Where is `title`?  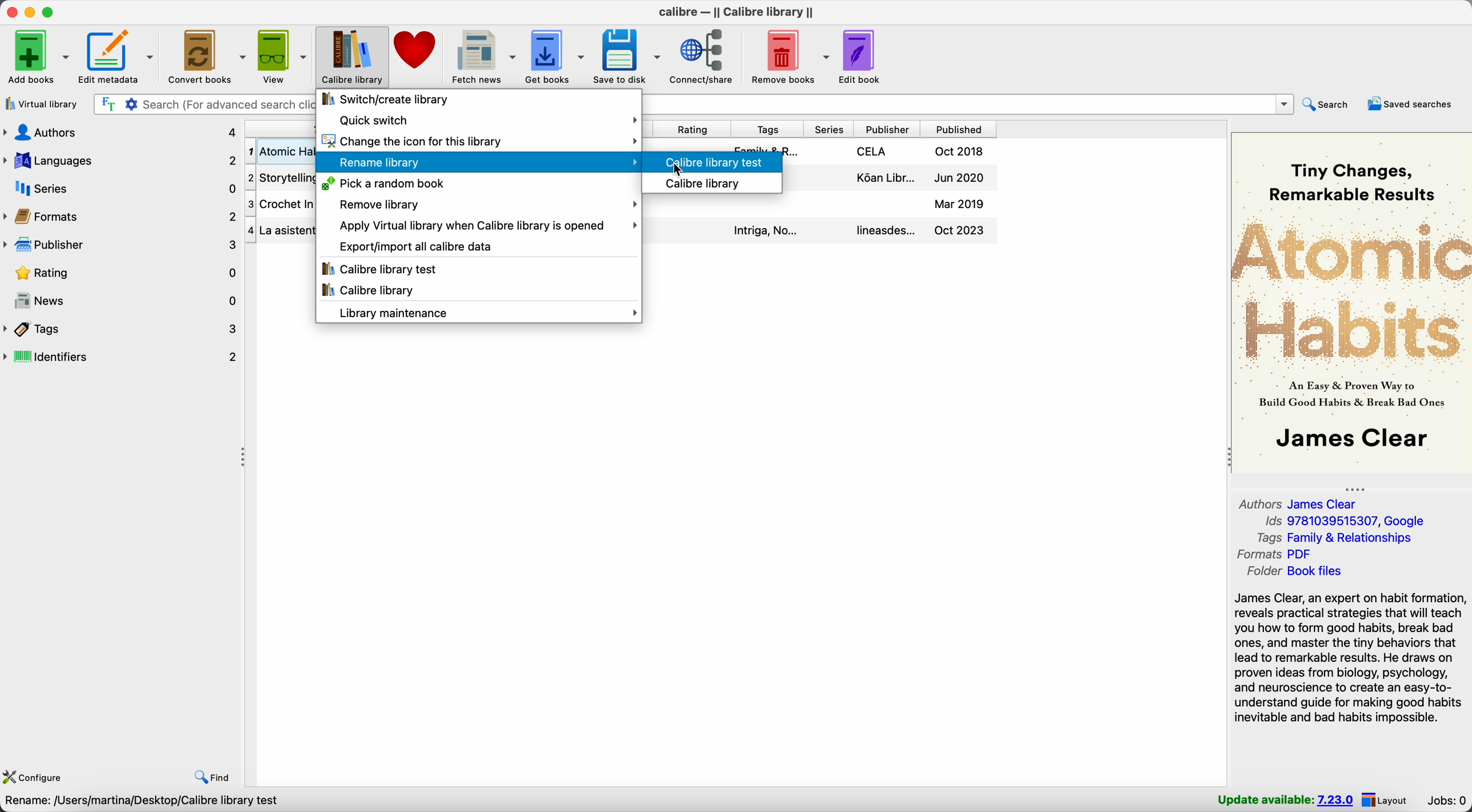 title is located at coordinates (279, 129).